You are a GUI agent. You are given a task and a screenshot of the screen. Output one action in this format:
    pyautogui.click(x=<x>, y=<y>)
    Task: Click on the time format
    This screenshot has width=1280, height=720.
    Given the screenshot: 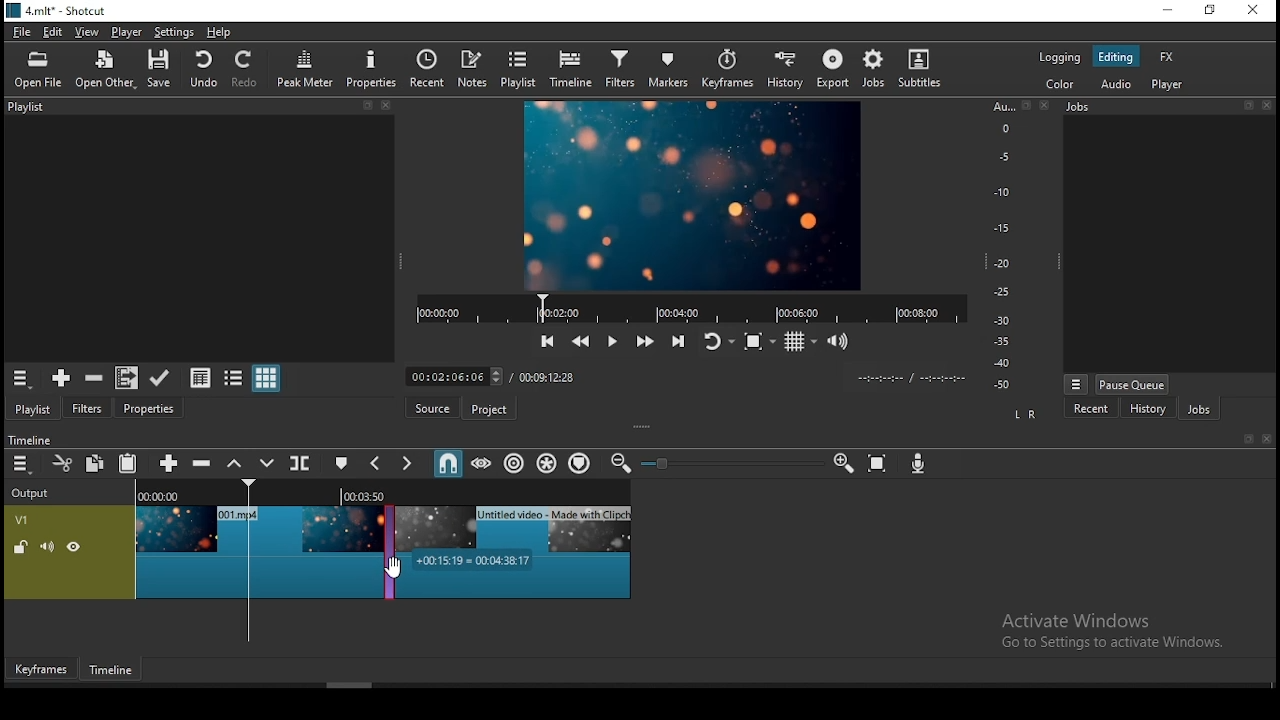 What is the action you would take?
    pyautogui.click(x=910, y=376)
    